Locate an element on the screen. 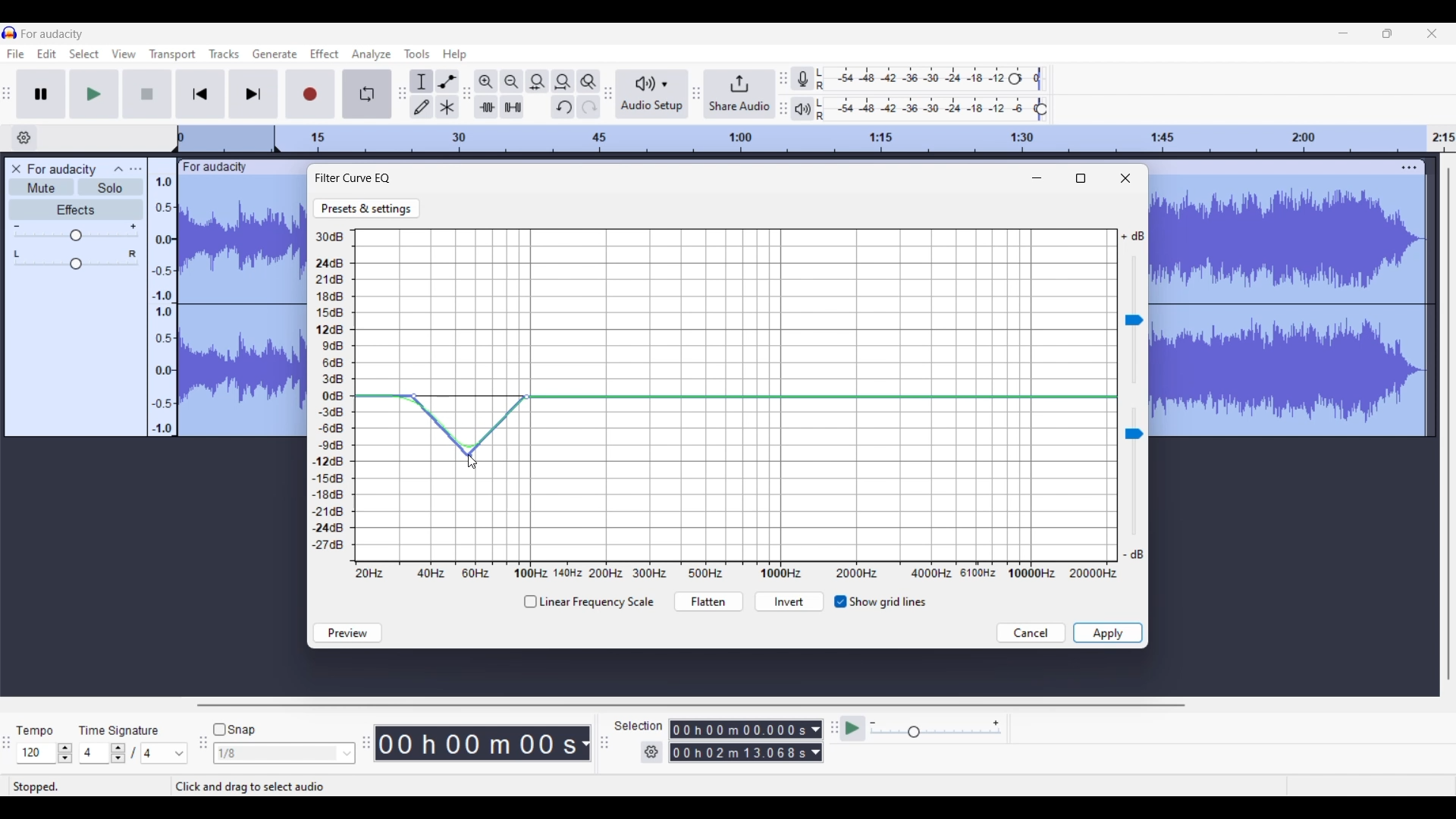 The height and width of the screenshot is (819, 1456). Scale to measure audio is located at coordinates (161, 297).